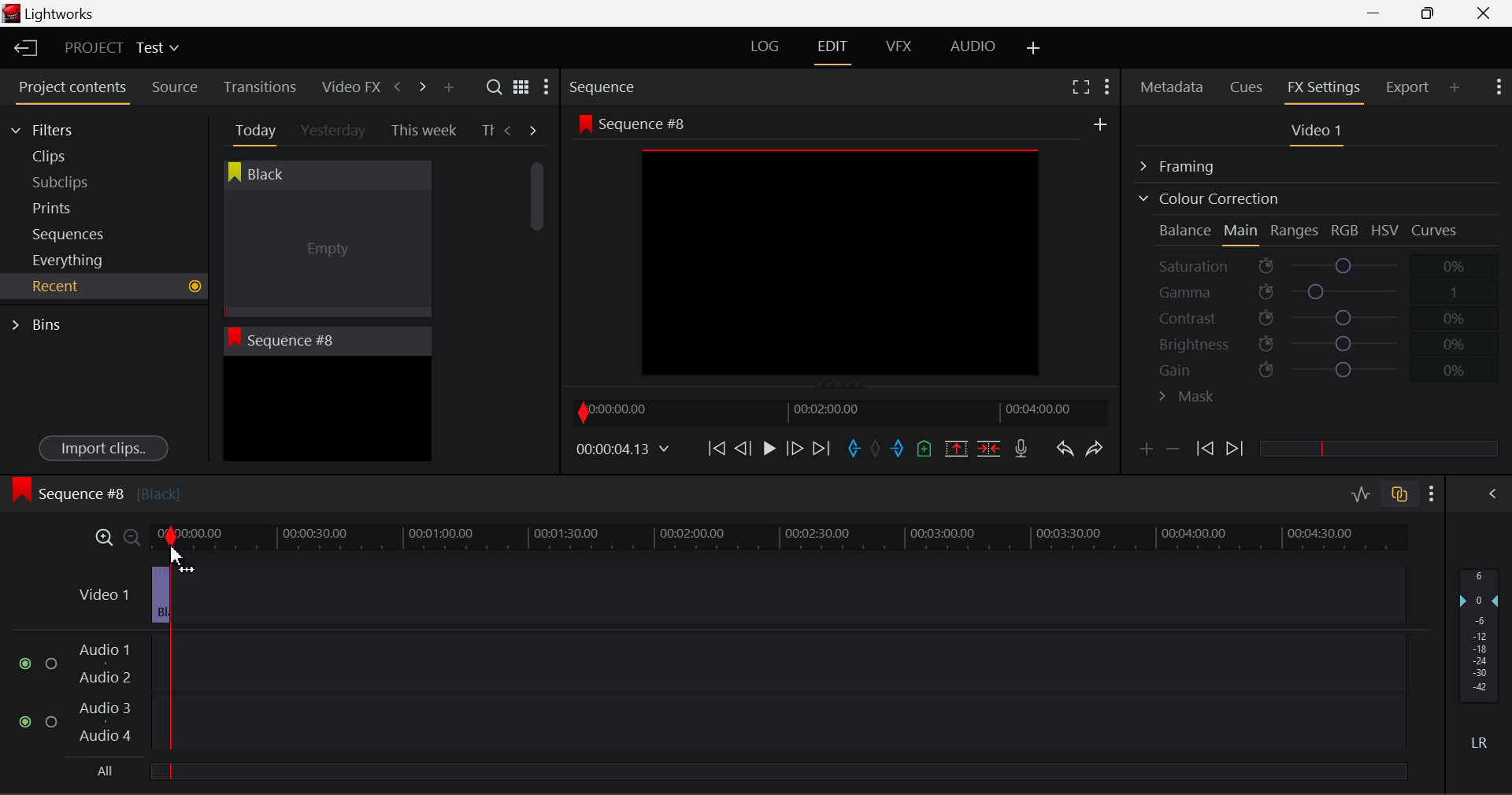  Describe the element at coordinates (545, 91) in the screenshot. I see `Show Settings` at that location.